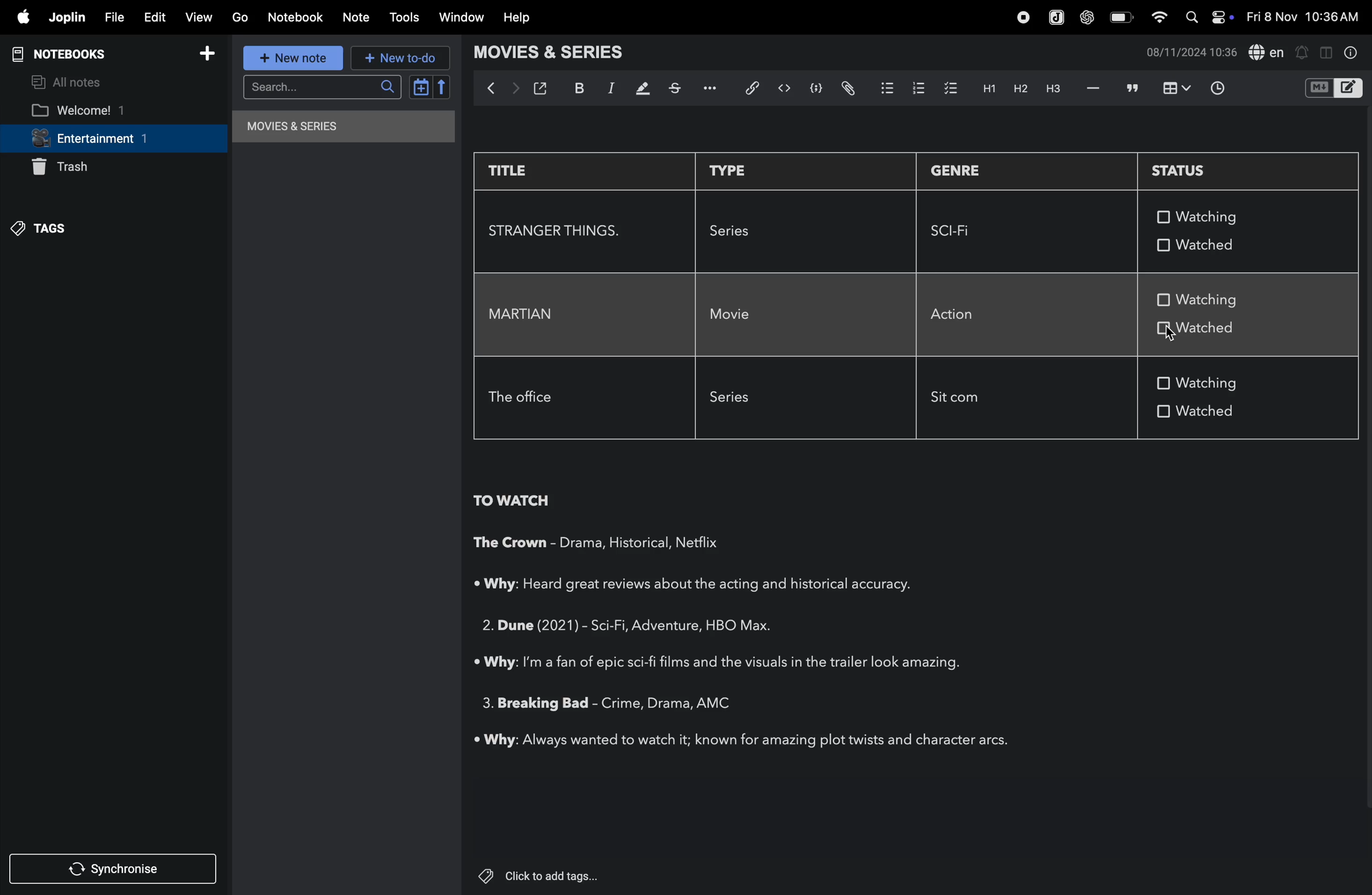 The image size is (1372, 895). I want to click on tools, so click(405, 17).